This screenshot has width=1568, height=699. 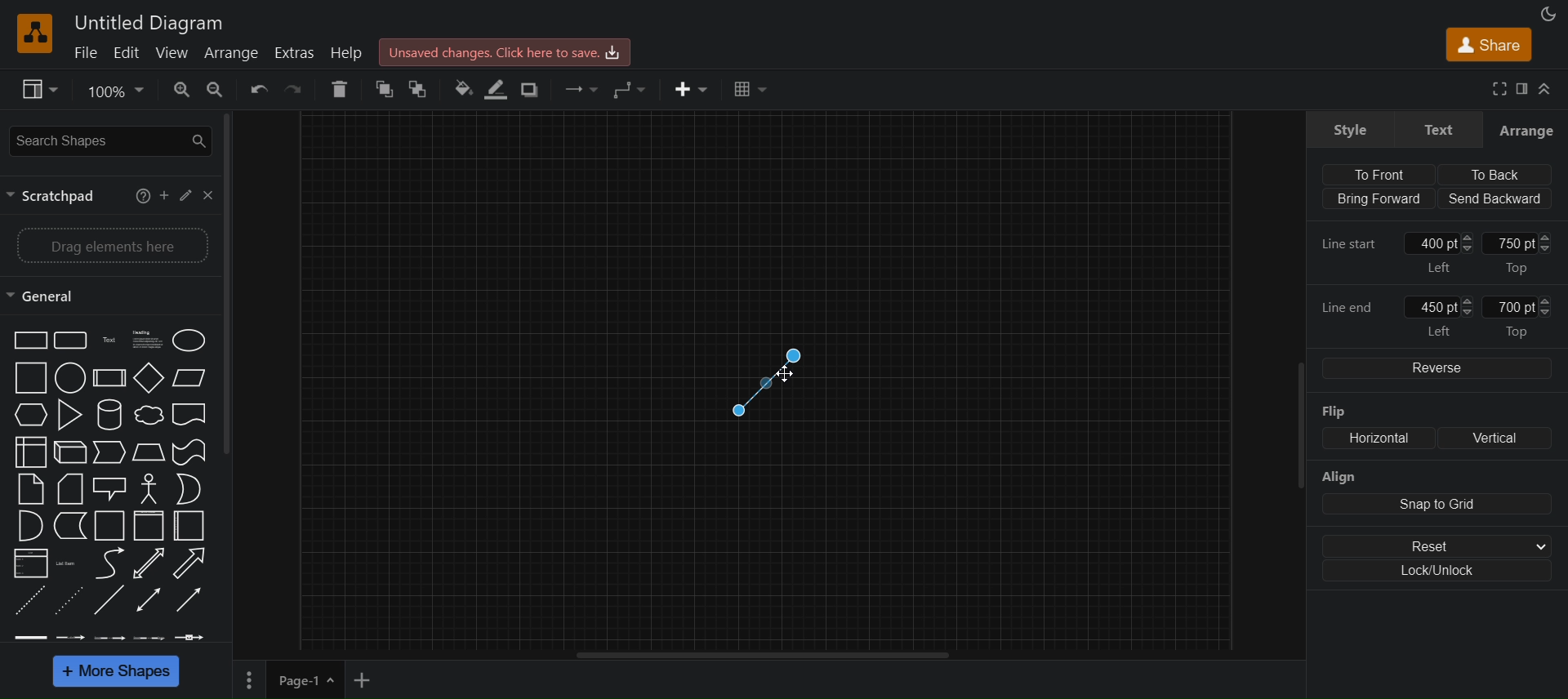 What do you see at coordinates (1549, 89) in the screenshot?
I see `collapse/expand` at bounding box center [1549, 89].